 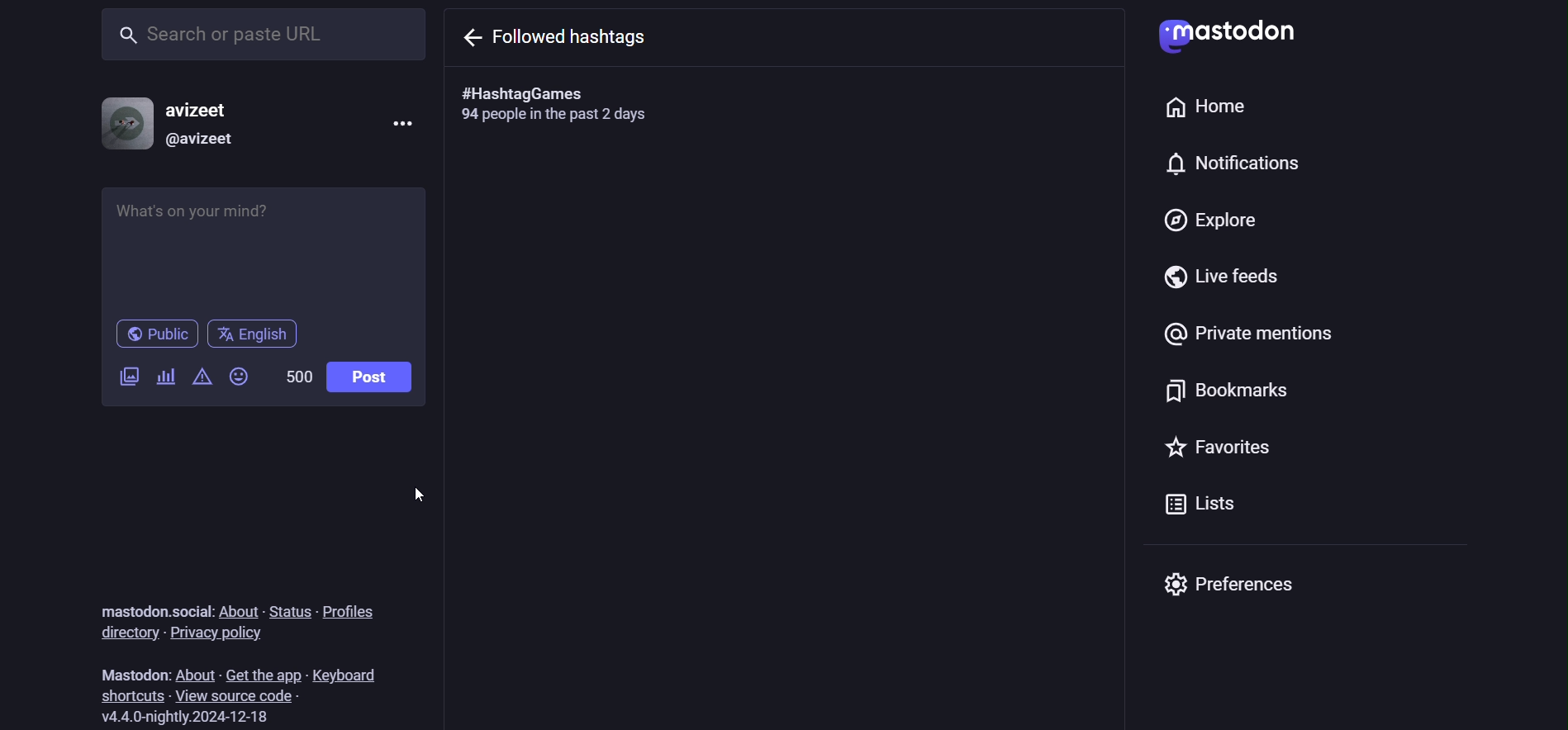 What do you see at coordinates (393, 122) in the screenshot?
I see `menu` at bounding box center [393, 122].